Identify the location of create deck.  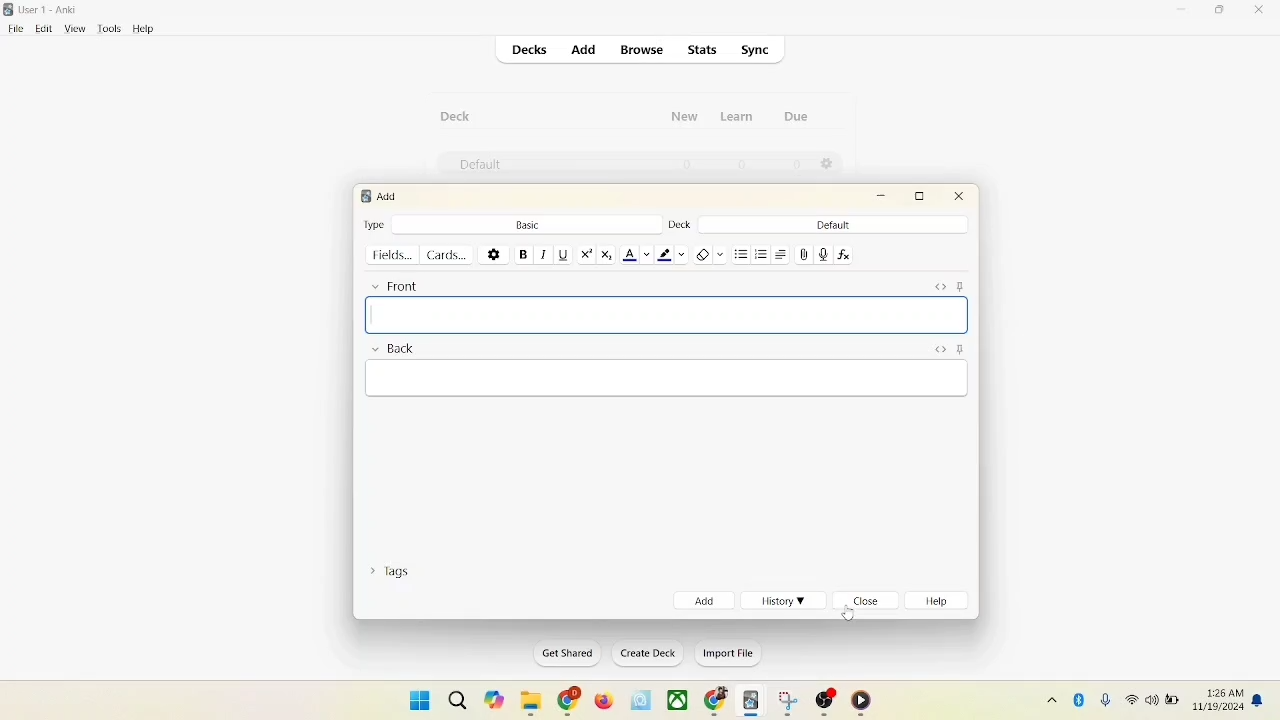
(644, 654).